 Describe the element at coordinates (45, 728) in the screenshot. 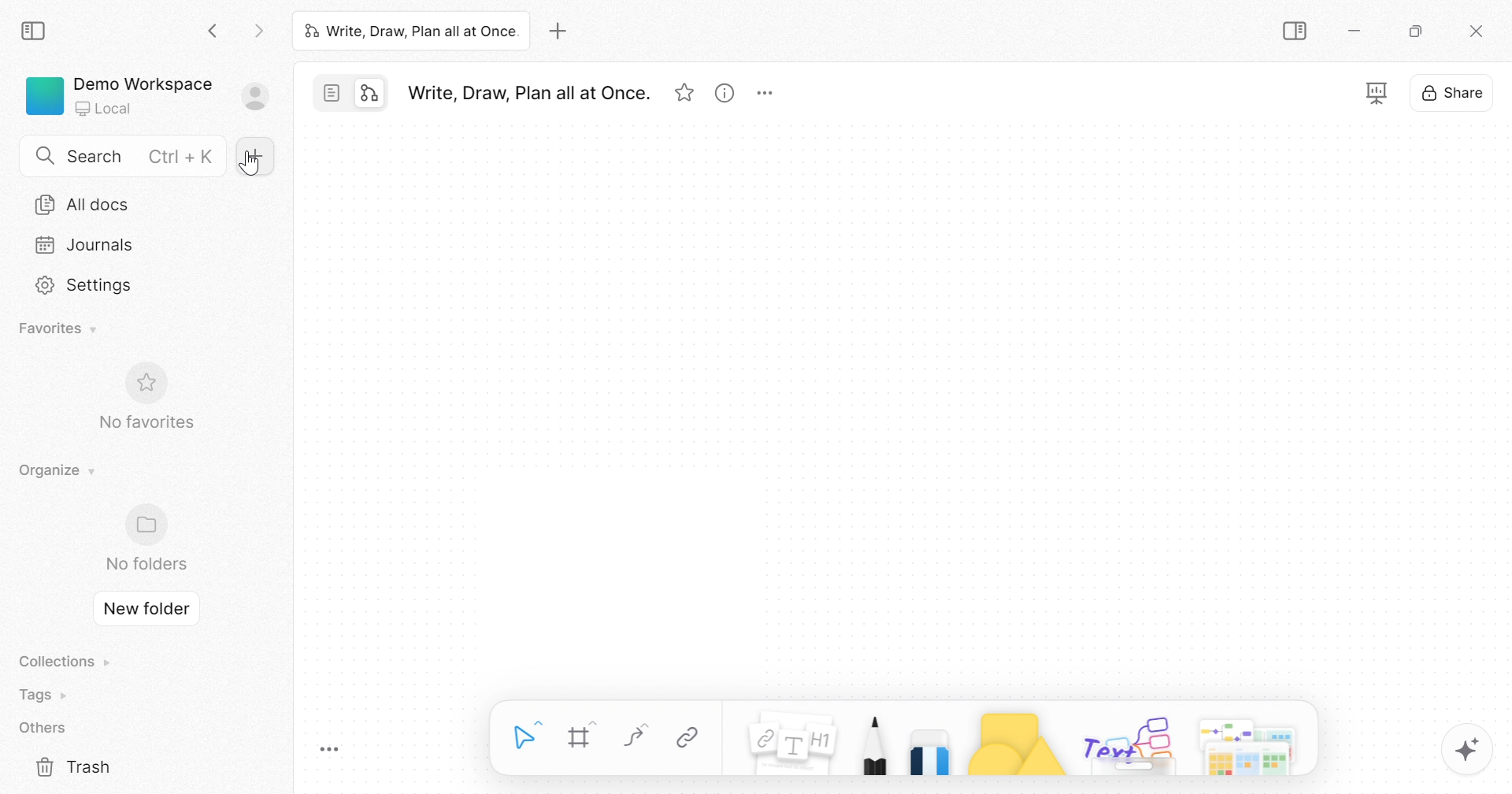

I see `Others` at that location.